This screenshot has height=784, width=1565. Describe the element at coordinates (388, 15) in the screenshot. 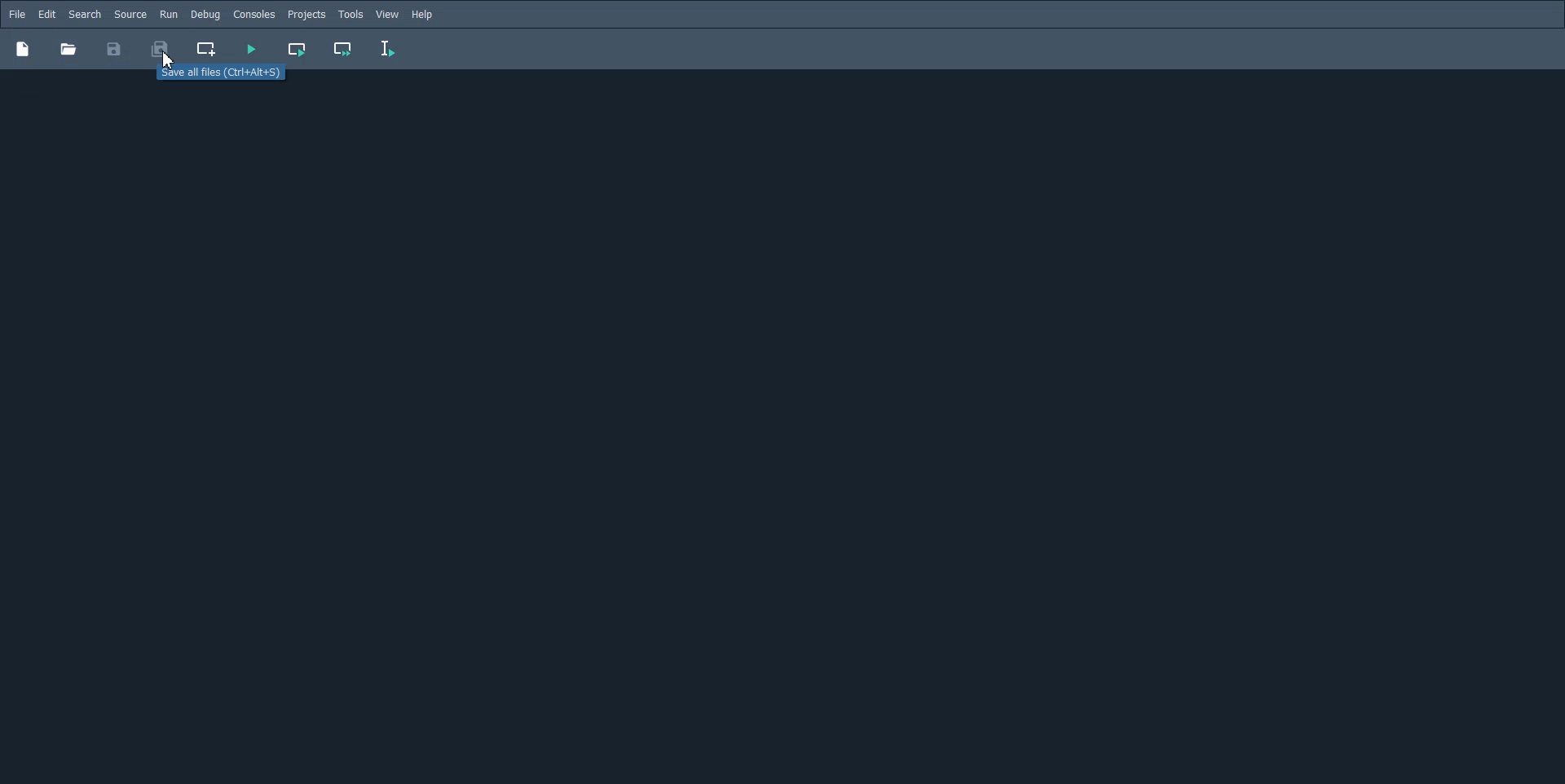

I see `view` at that location.